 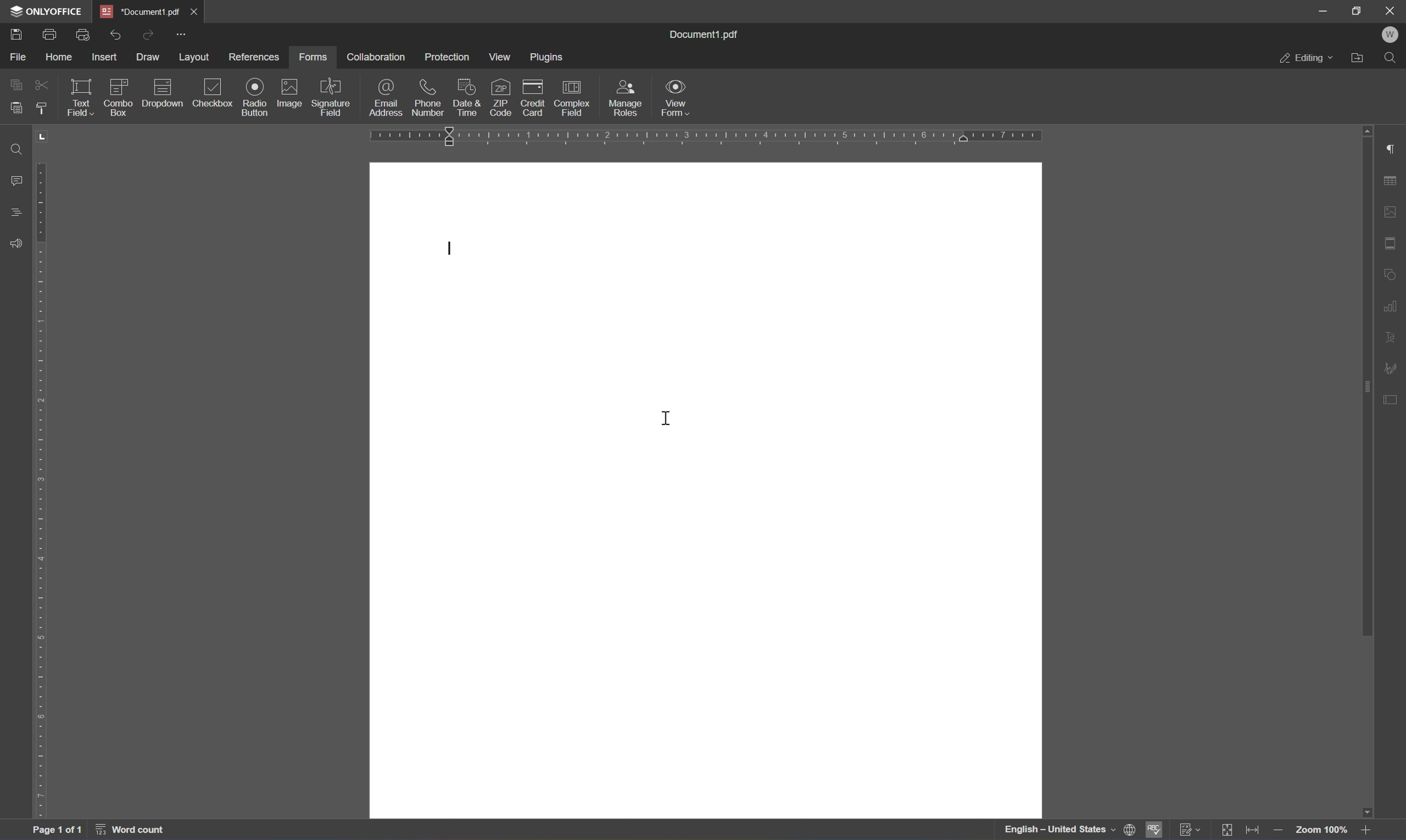 I want to click on zoom out, so click(x=1286, y=832).